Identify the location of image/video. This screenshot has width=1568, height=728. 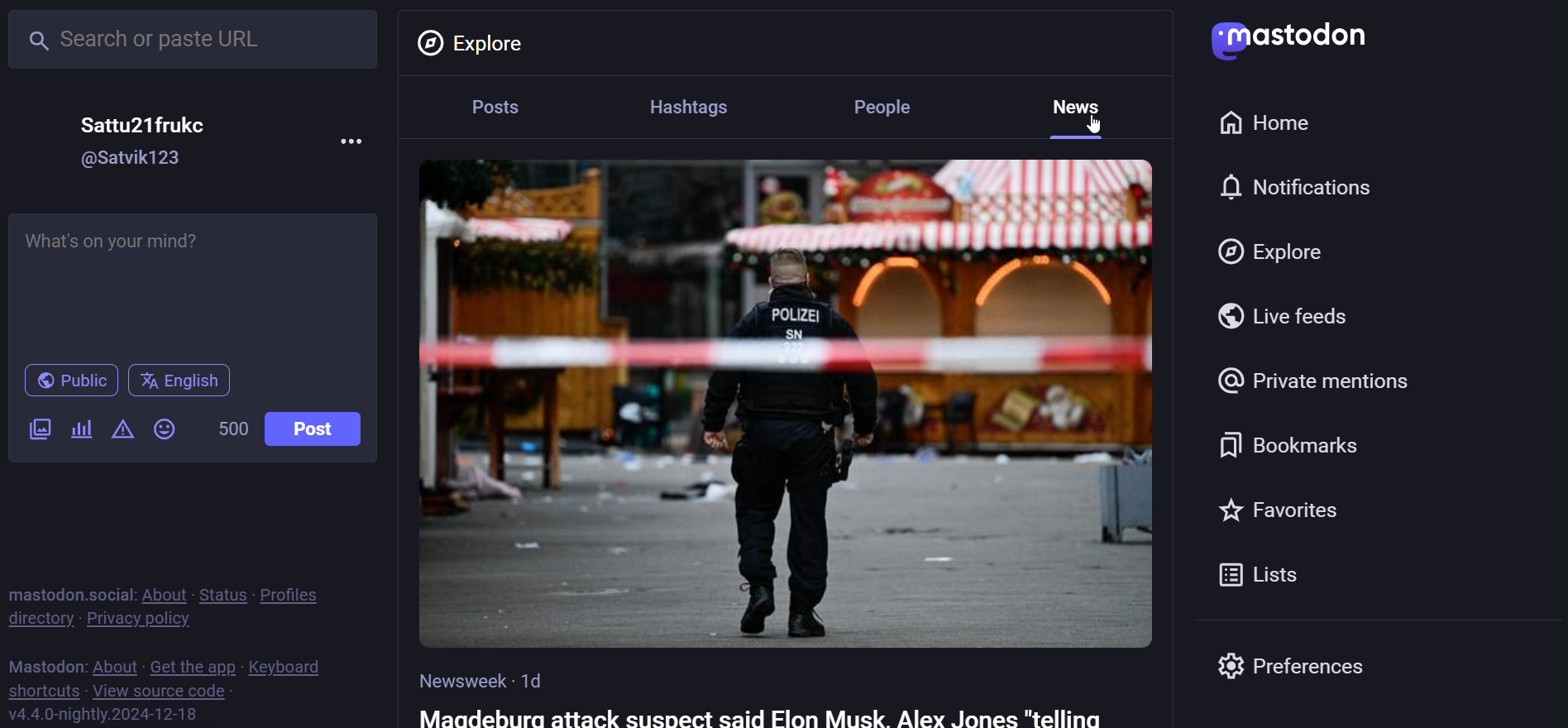
(36, 429).